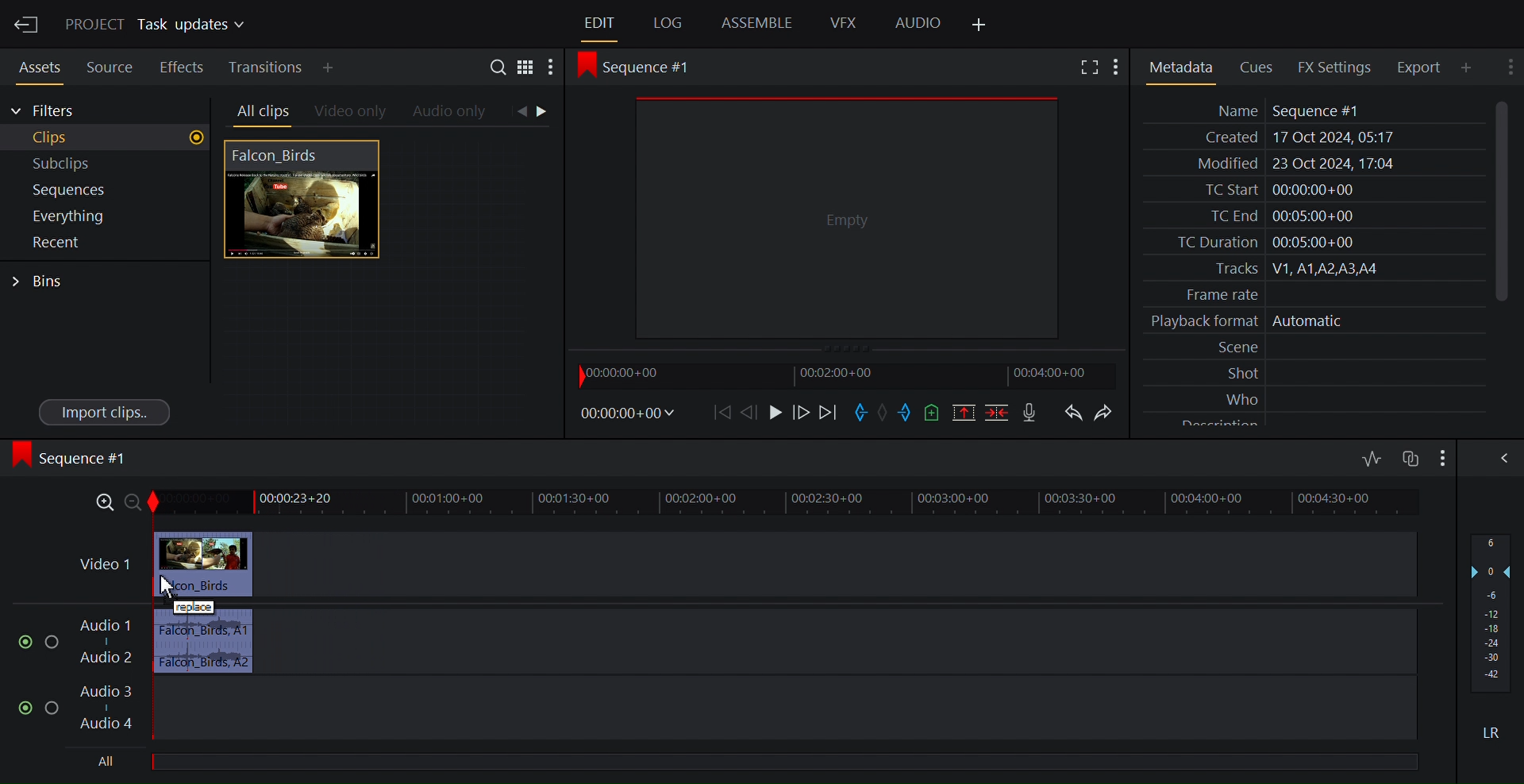  I want to click on replace, so click(194, 607).